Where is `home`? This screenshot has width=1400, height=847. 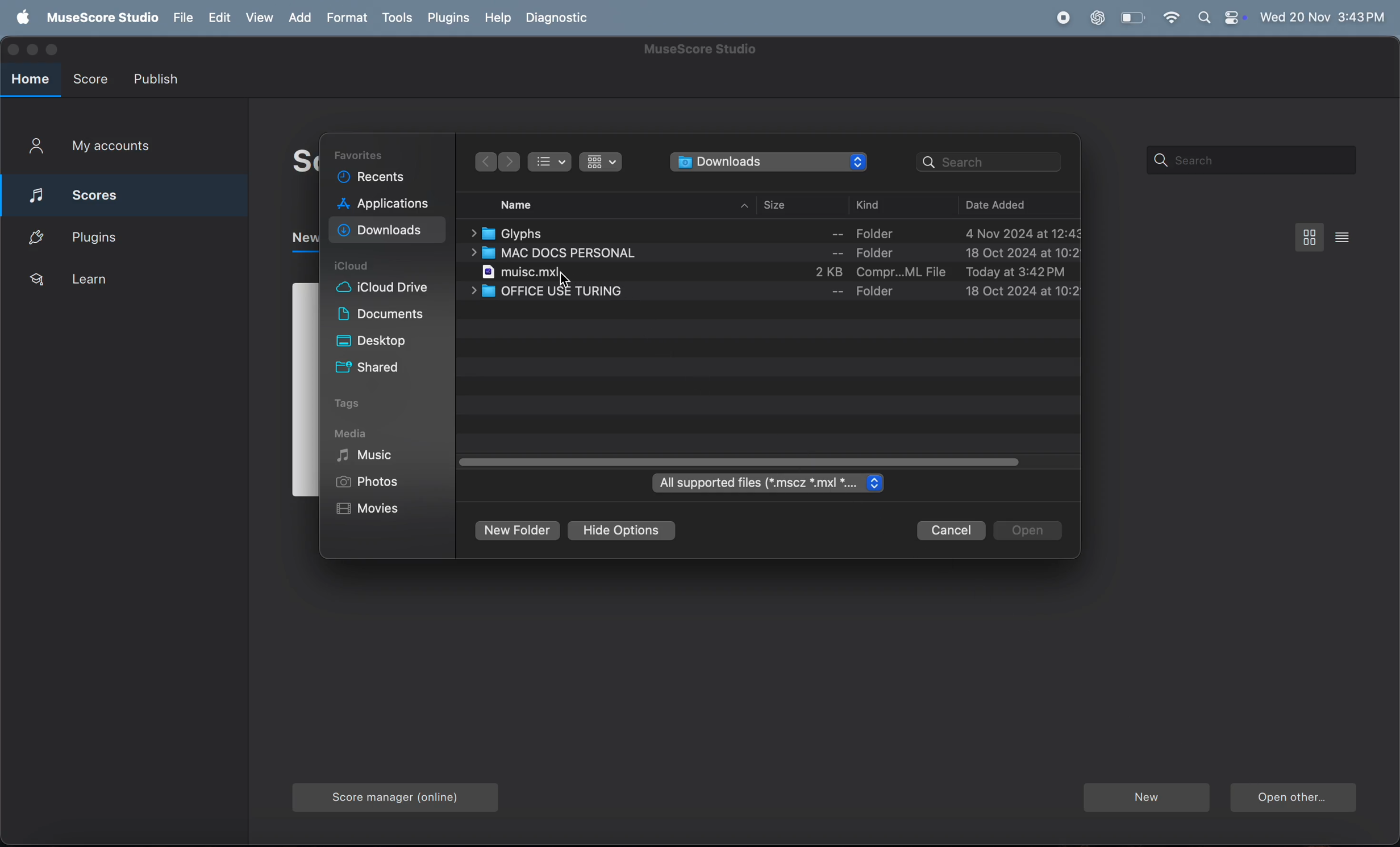
home is located at coordinates (28, 81).